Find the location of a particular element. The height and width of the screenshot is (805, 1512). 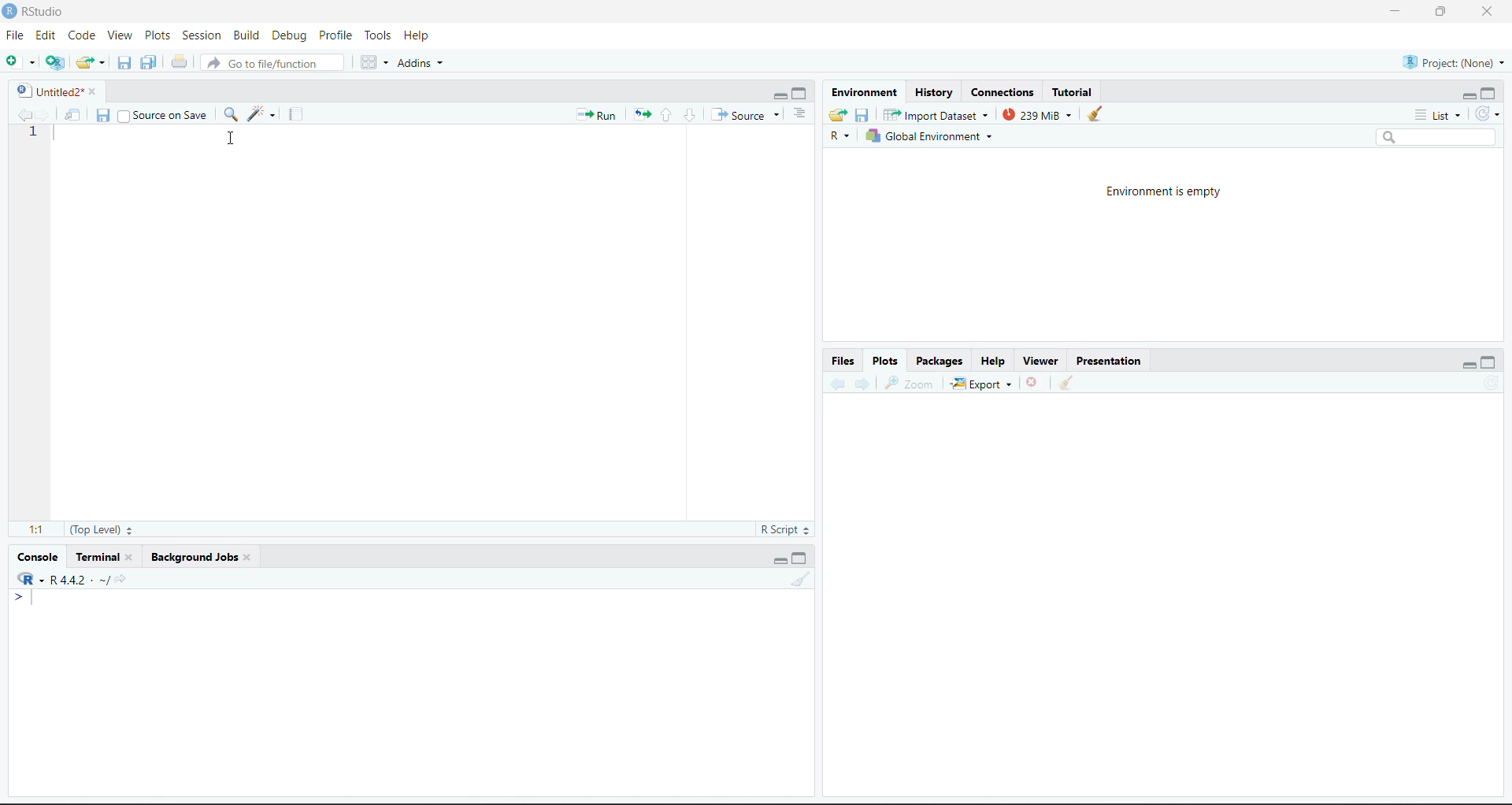

Go to file/function is located at coordinates (272, 61).